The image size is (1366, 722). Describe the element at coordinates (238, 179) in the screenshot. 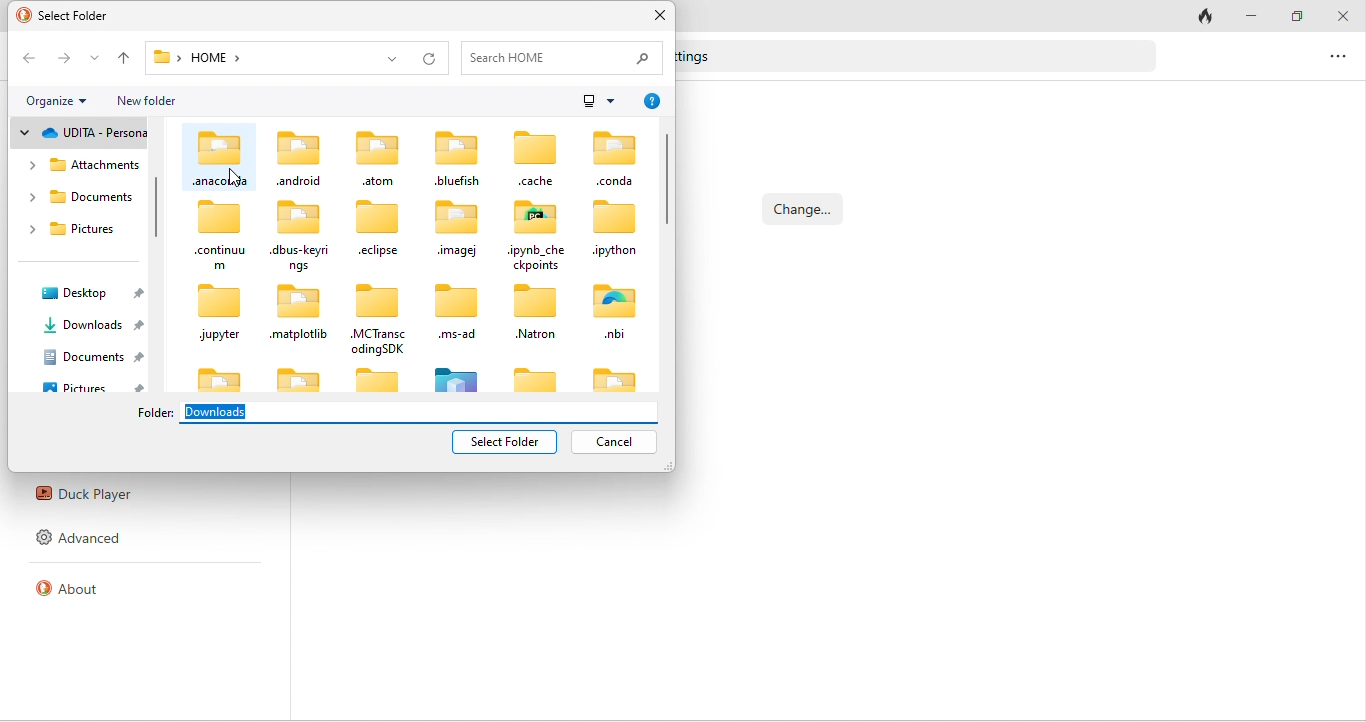

I see `cursor movement` at that location.